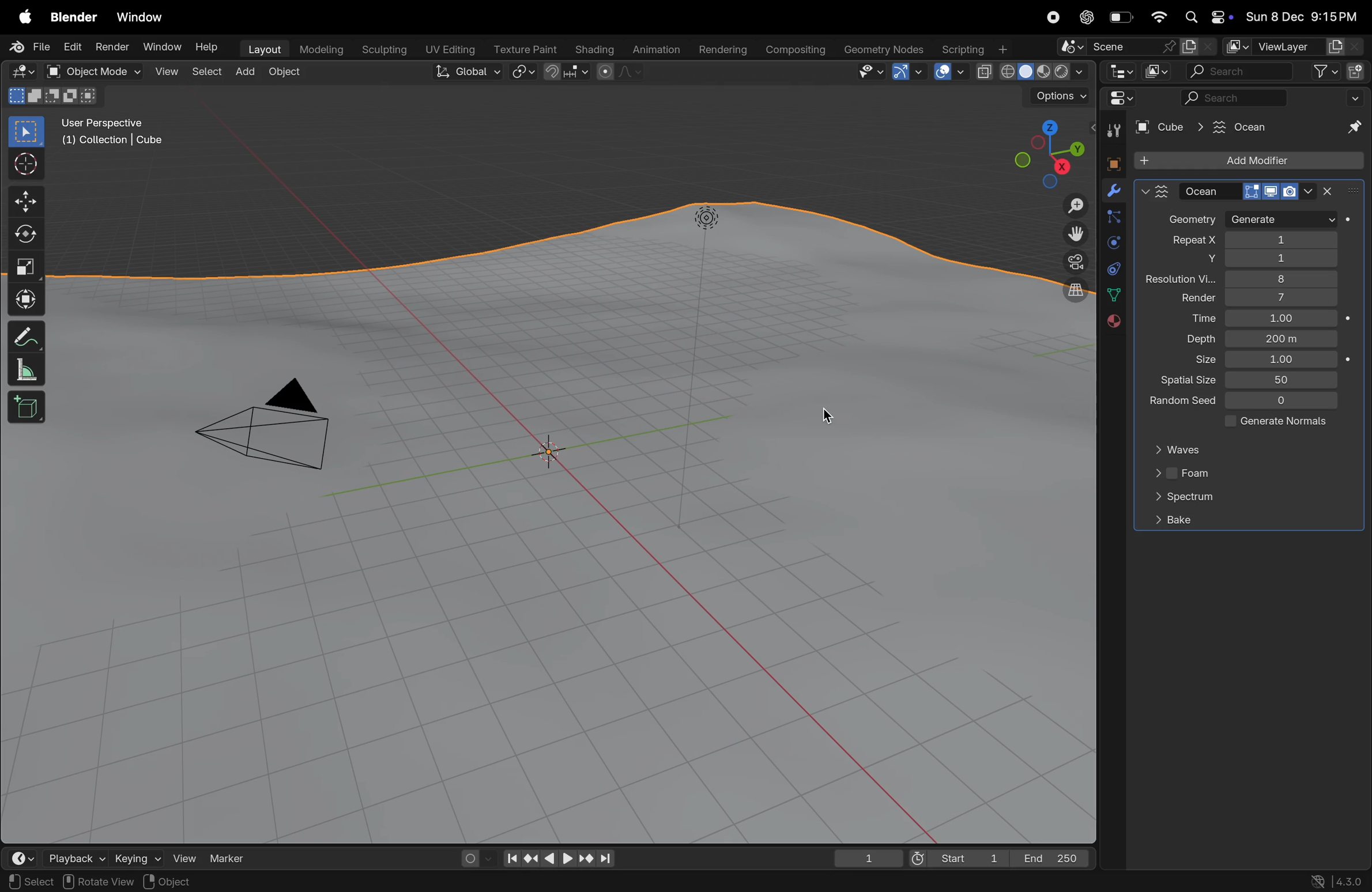 This screenshot has width=1372, height=892. What do you see at coordinates (1177, 403) in the screenshot?
I see `random slesct` at bounding box center [1177, 403].